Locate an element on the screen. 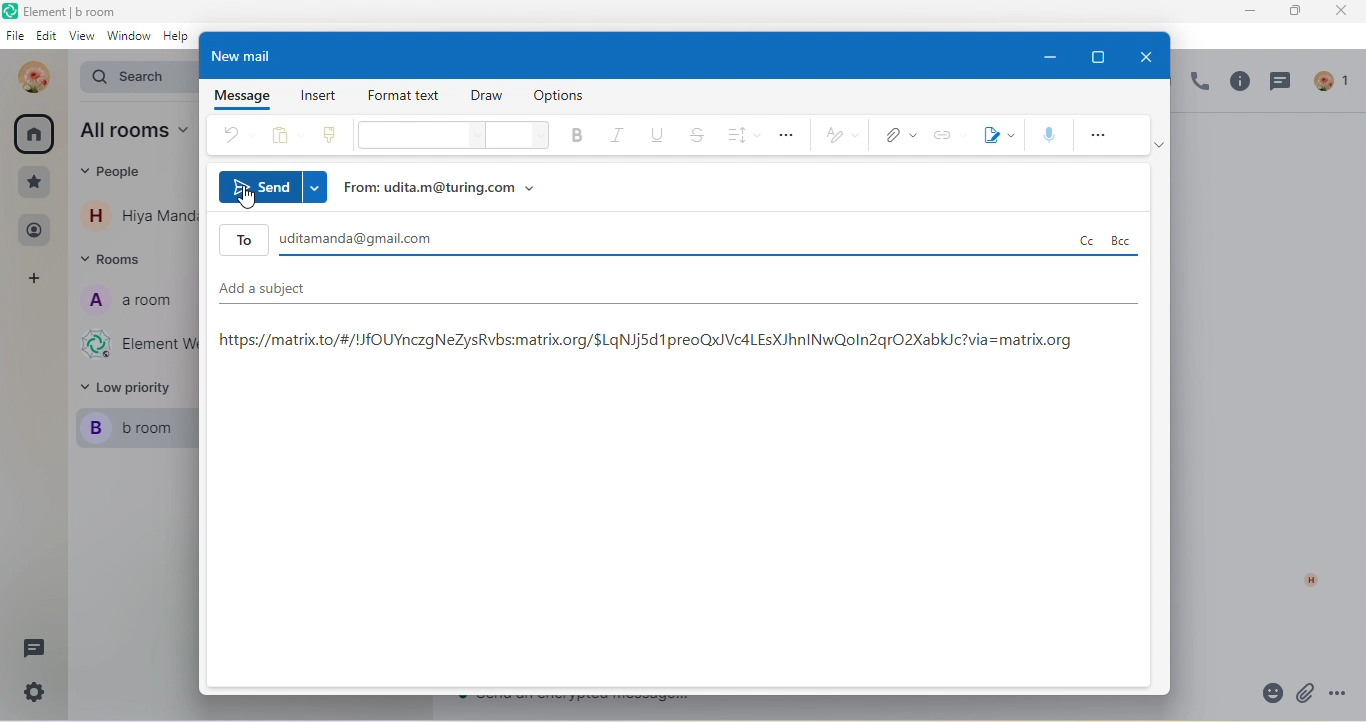 The image size is (1366, 722). paste is located at coordinates (282, 138).